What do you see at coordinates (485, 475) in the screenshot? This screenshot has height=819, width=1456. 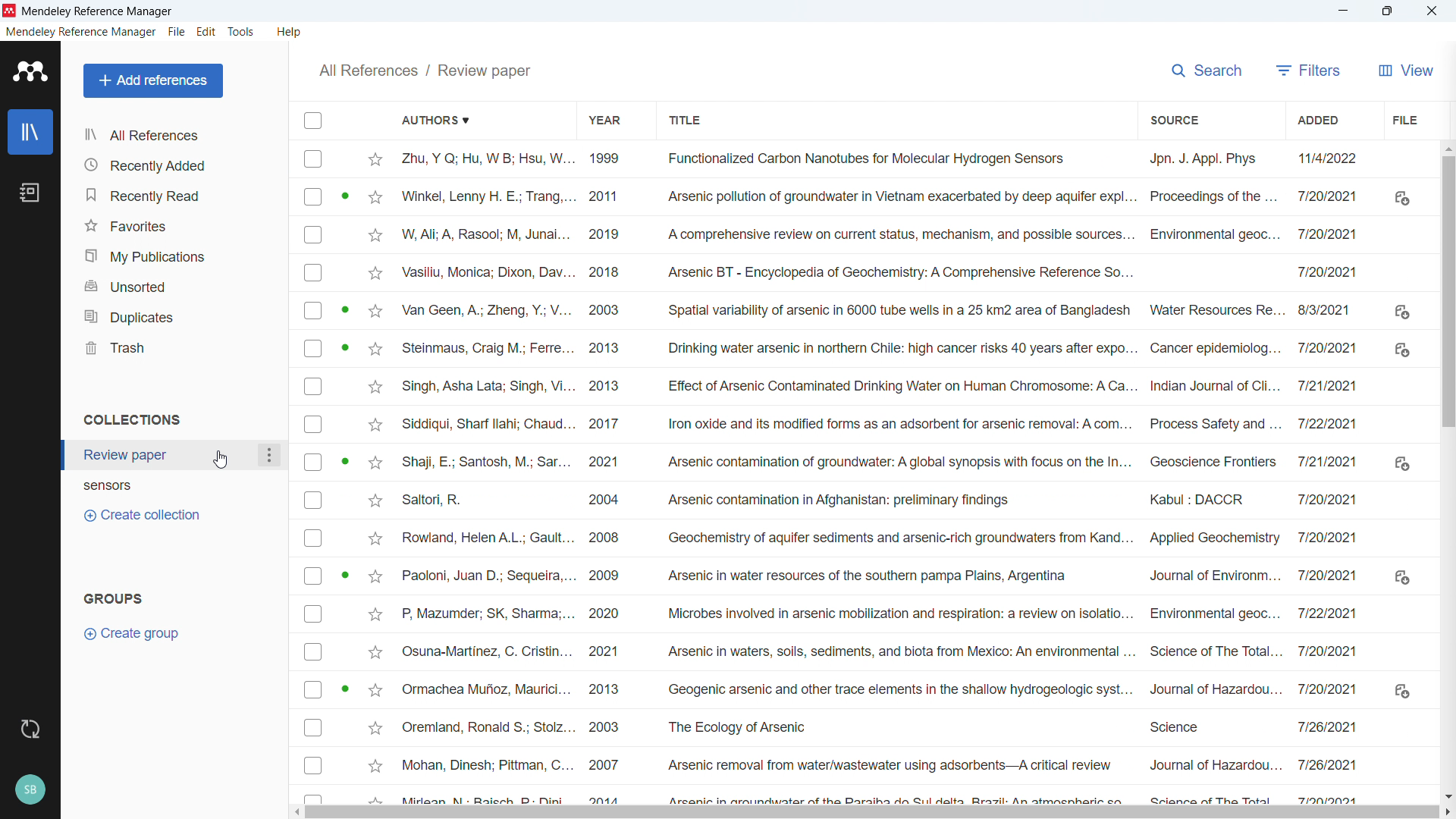 I see `Authors of individual entries ` at bounding box center [485, 475].